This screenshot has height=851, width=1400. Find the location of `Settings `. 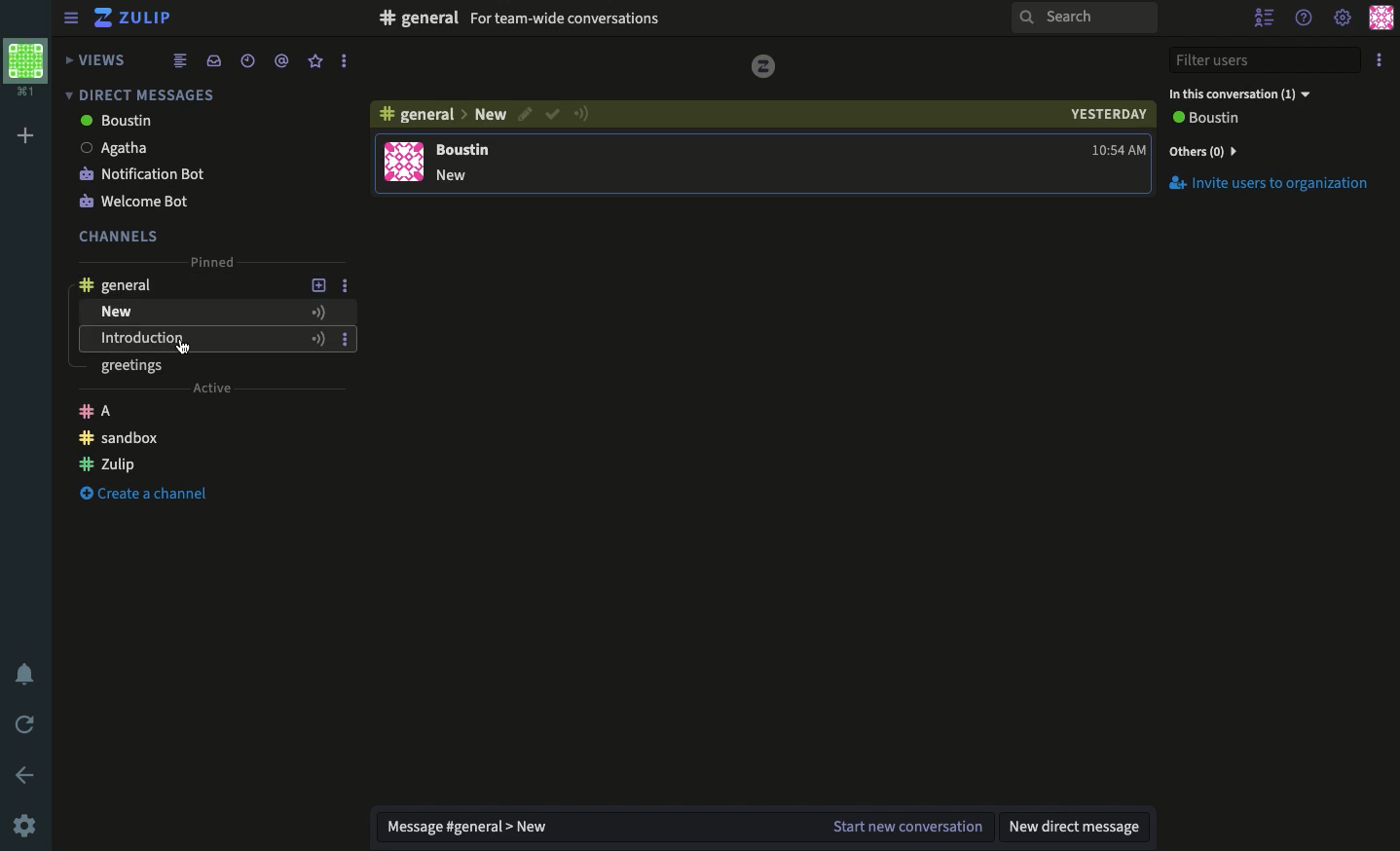

Settings  is located at coordinates (1342, 19).